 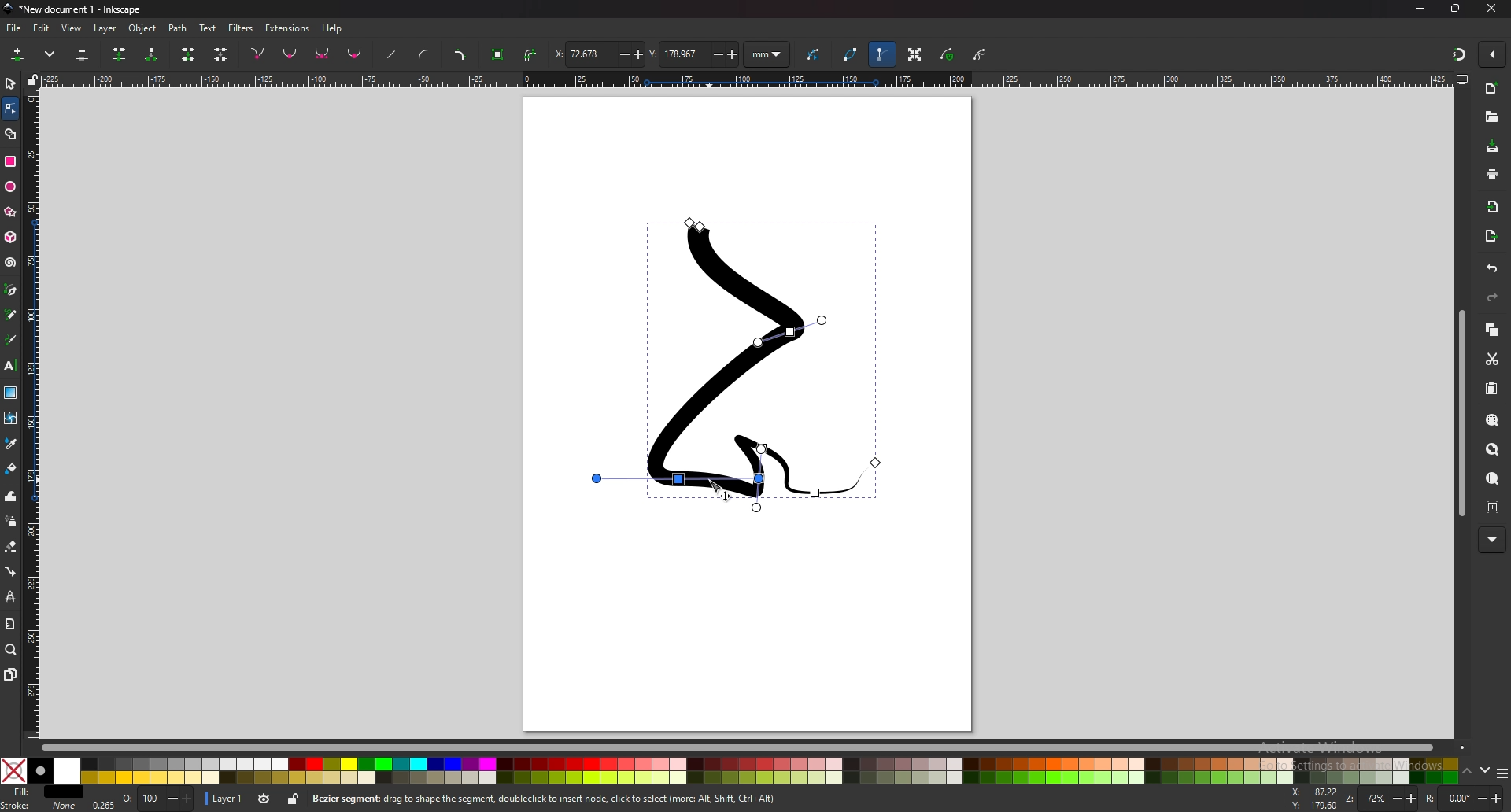 What do you see at coordinates (1483, 772) in the screenshot?
I see `down` at bounding box center [1483, 772].